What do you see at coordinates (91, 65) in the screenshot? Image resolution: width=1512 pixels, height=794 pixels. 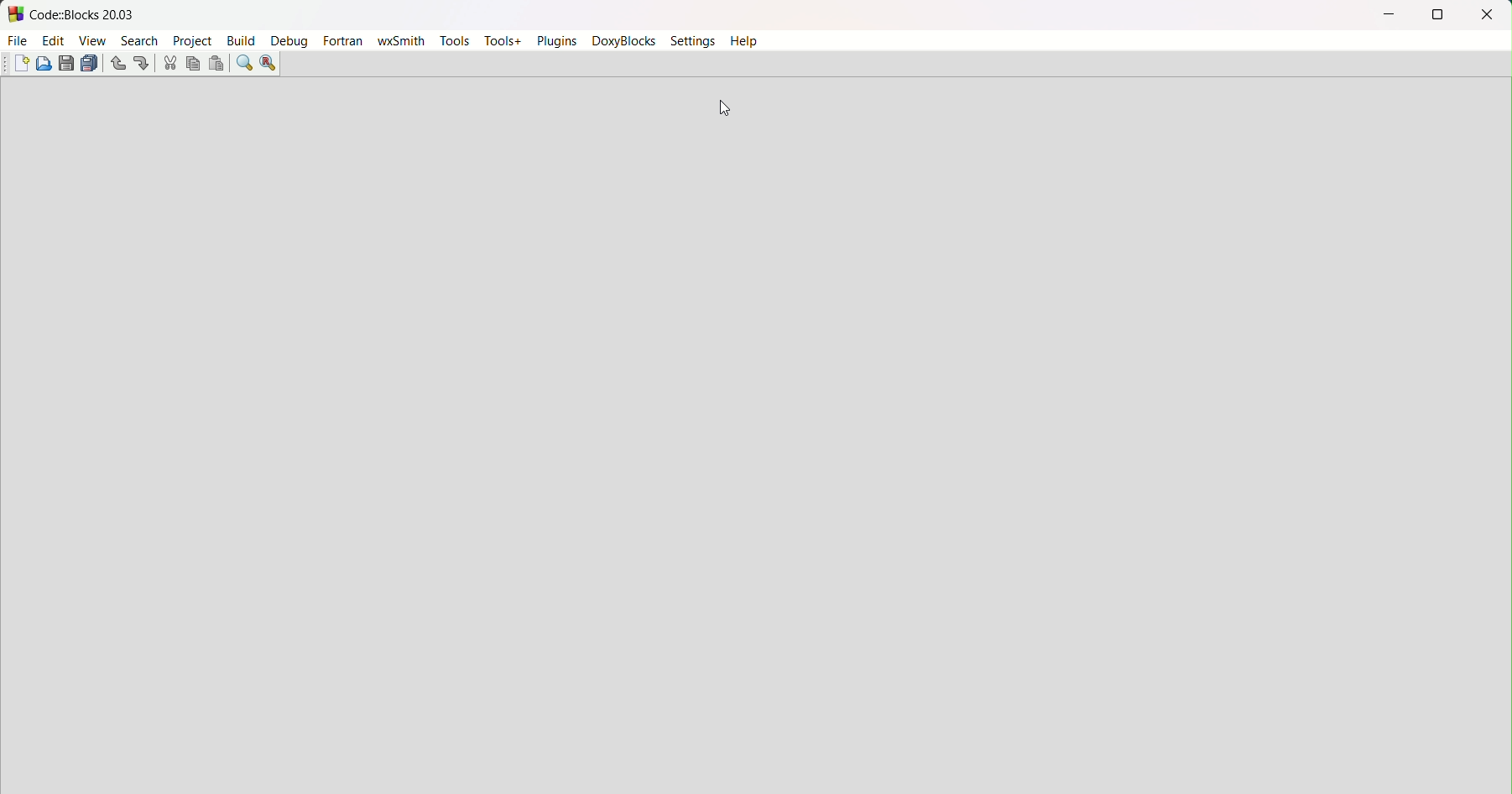 I see `save all` at bounding box center [91, 65].